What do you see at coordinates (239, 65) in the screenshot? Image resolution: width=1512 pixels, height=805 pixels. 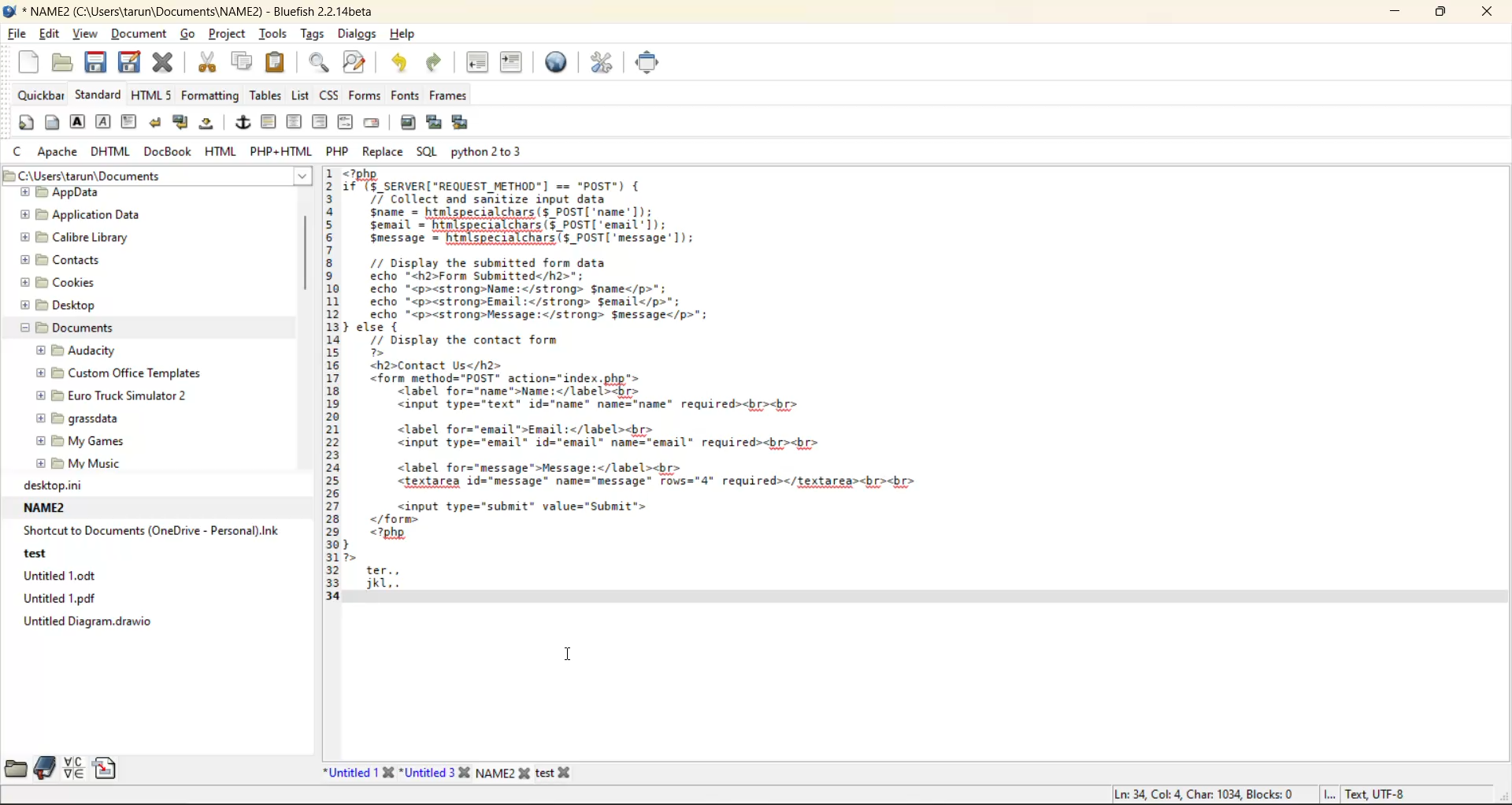 I see `copy` at bounding box center [239, 65].